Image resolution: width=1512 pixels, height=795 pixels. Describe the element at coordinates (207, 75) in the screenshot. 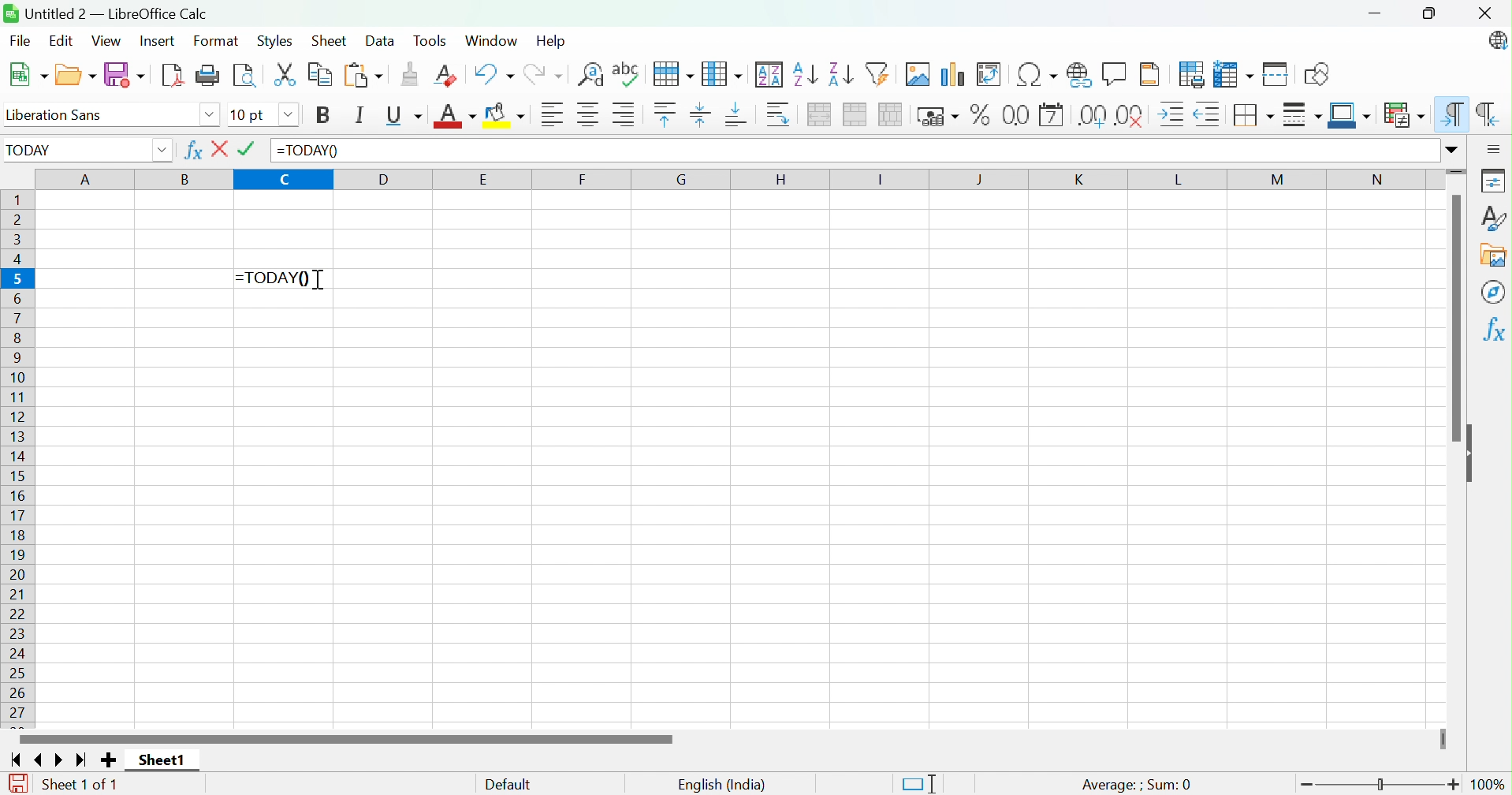

I see `Print` at that location.